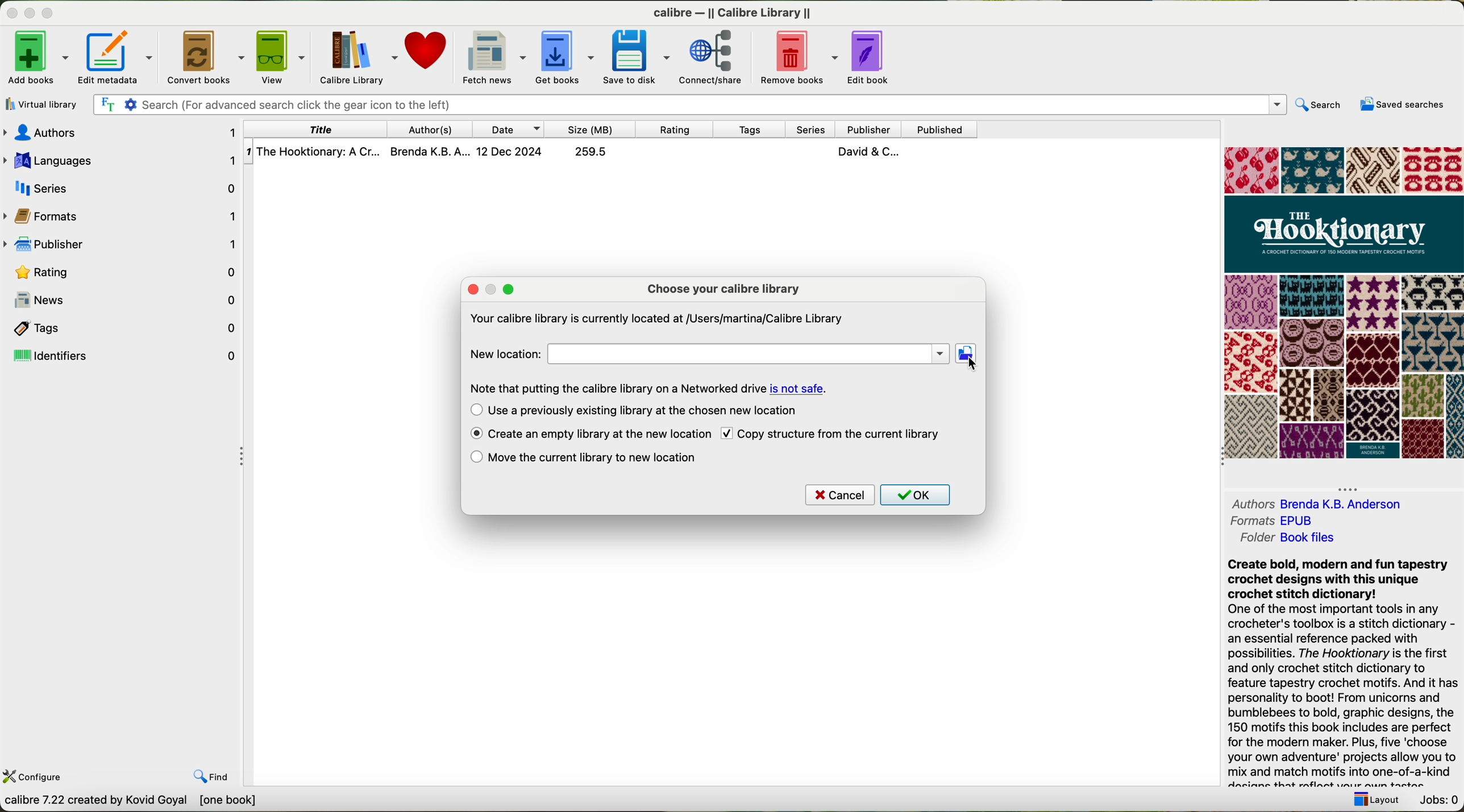 The image size is (1464, 812). I want to click on checkbox, so click(474, 458).